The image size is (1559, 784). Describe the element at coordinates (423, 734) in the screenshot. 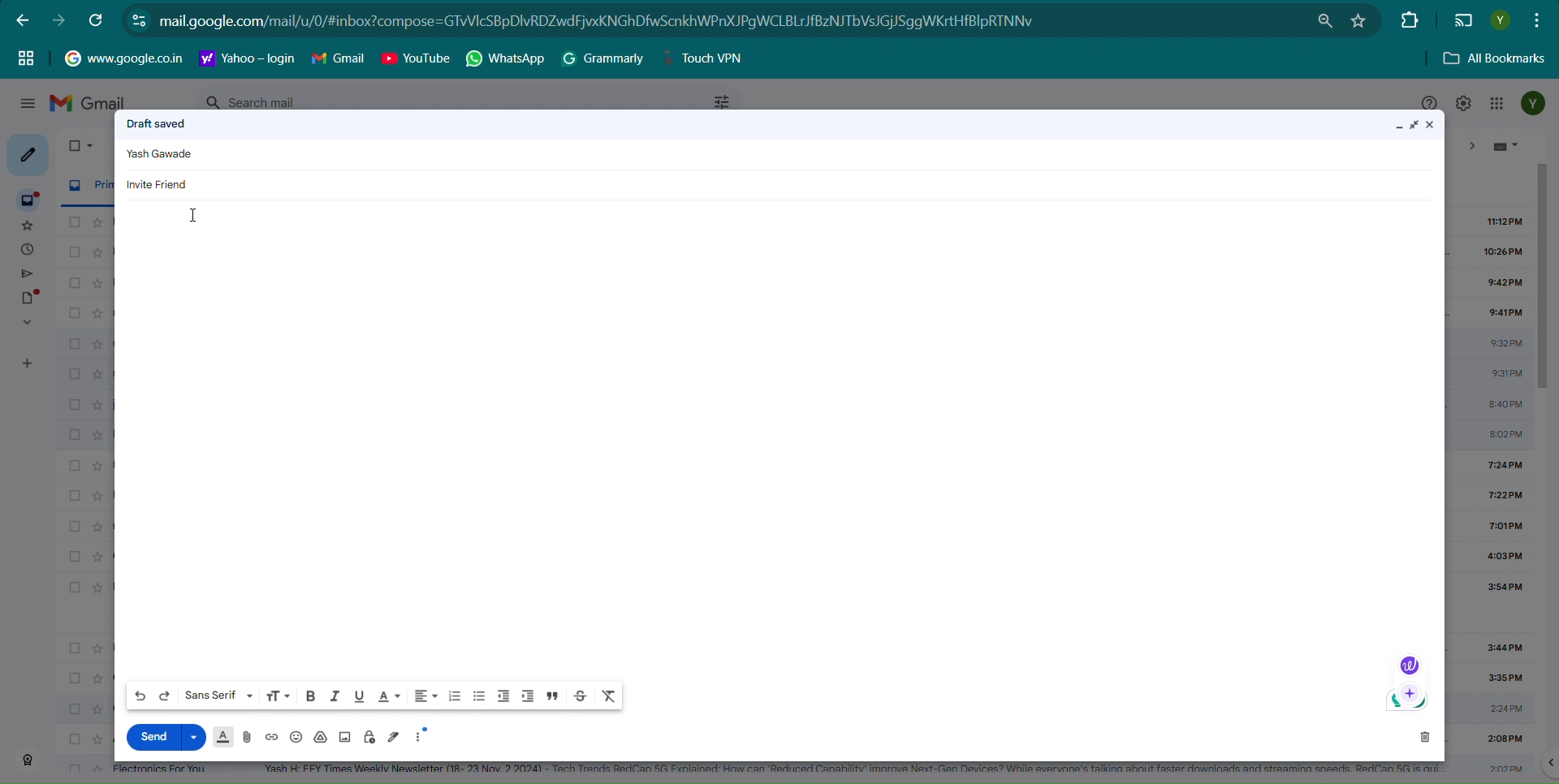

I see `More Option` at that location.